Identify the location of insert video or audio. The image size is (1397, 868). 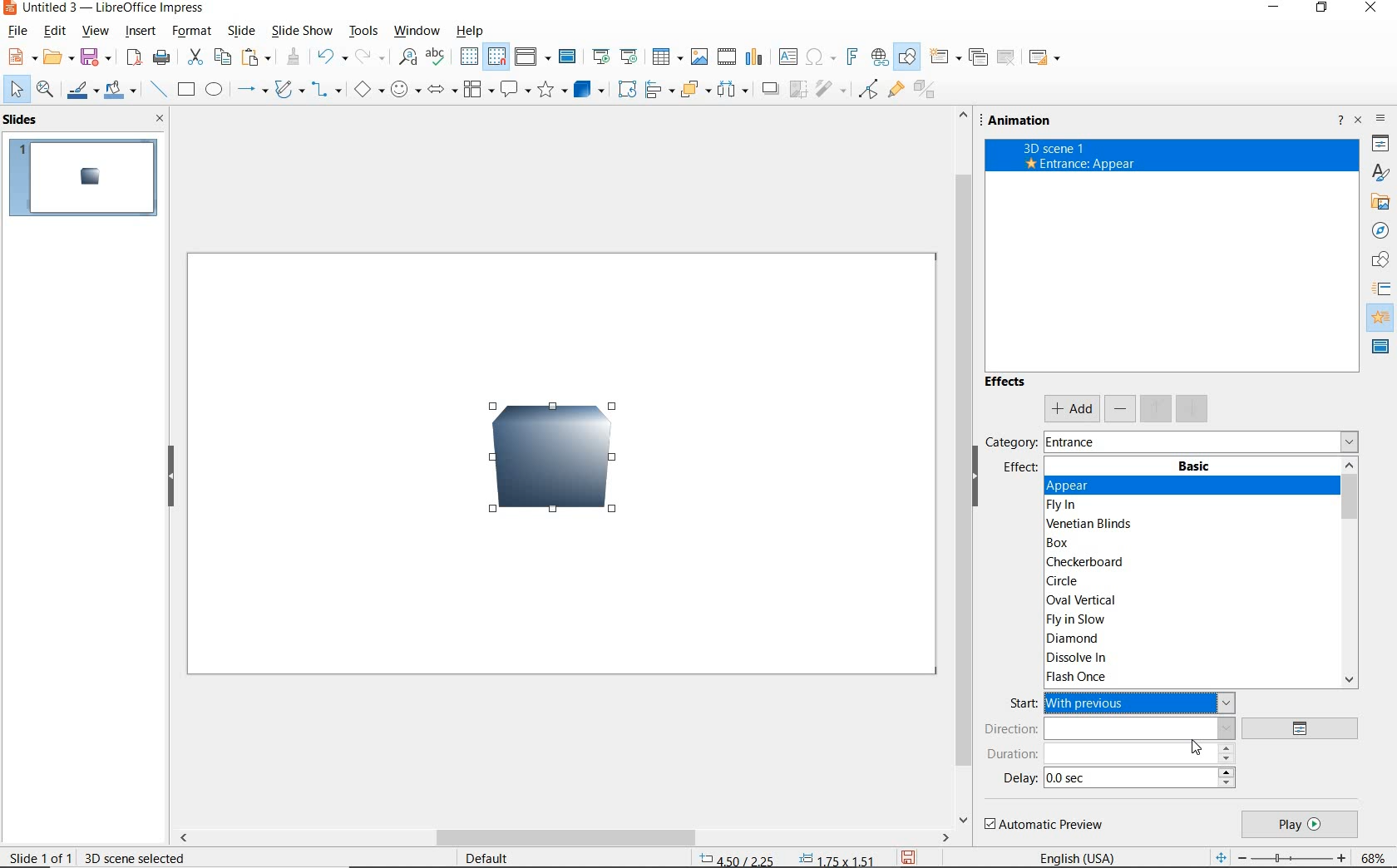
(728, 57).